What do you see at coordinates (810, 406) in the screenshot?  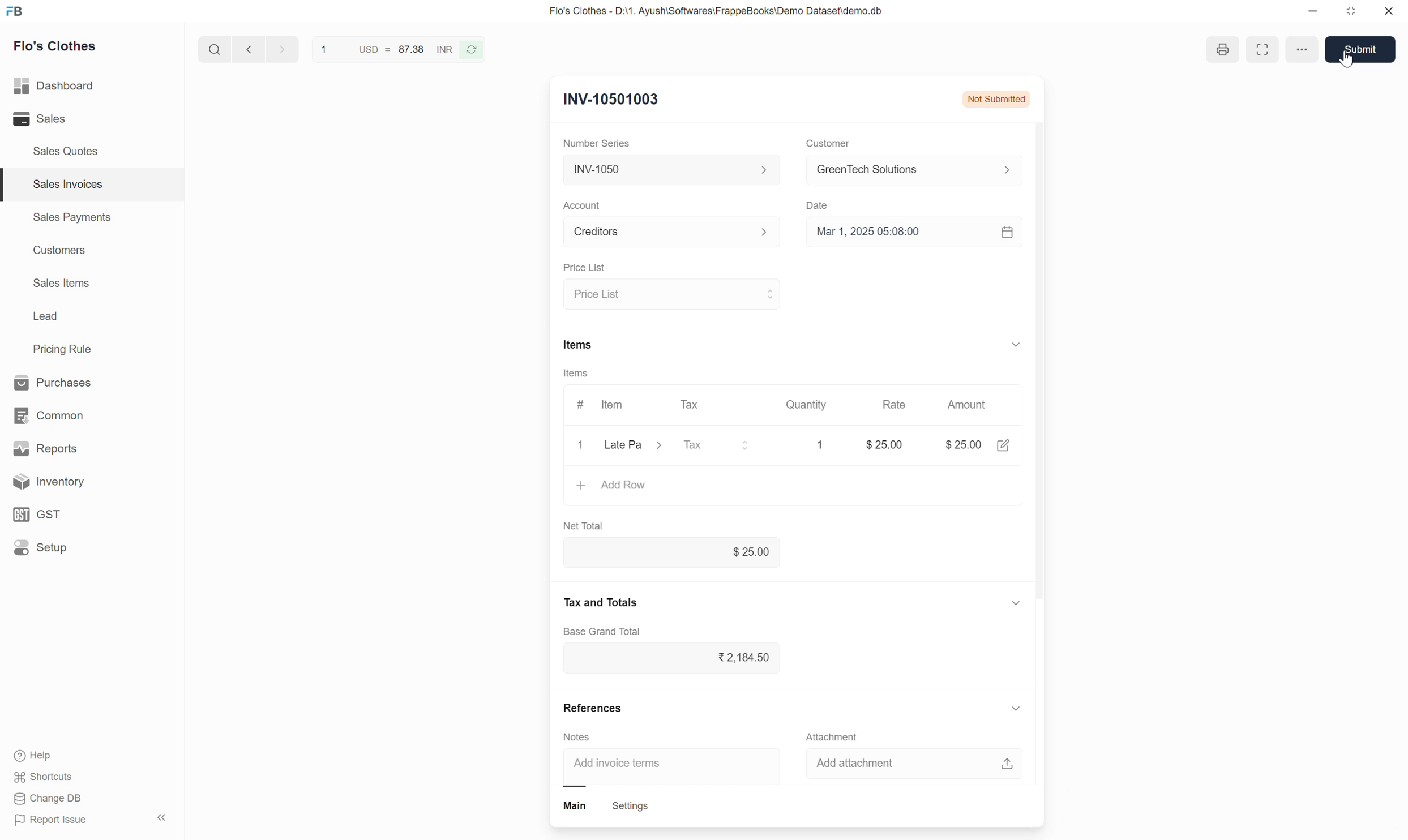 I see `Quantity` at bounding box center [810, 406].